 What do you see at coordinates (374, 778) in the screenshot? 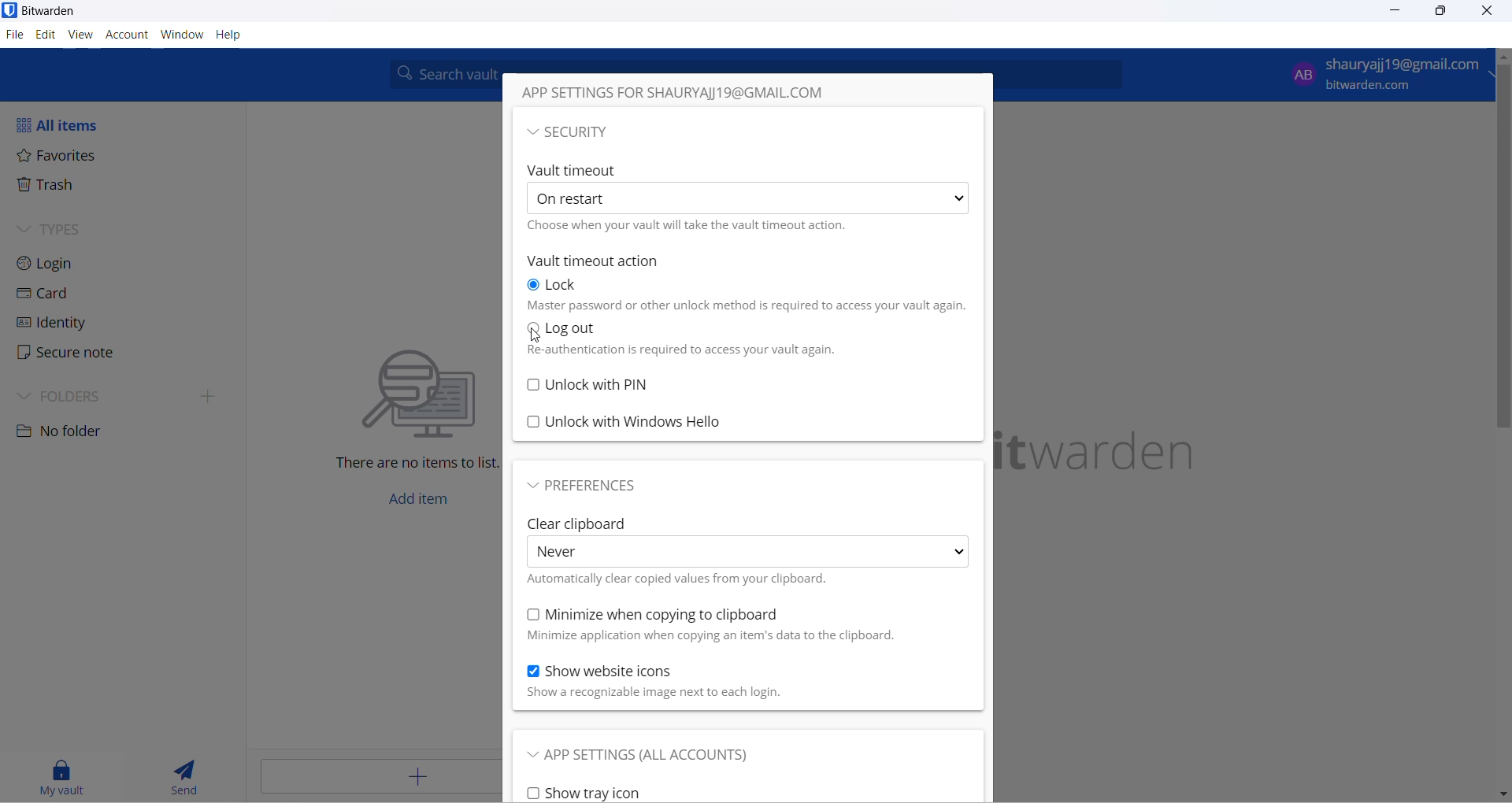
I see `add button` at bounding box center [374, 778].